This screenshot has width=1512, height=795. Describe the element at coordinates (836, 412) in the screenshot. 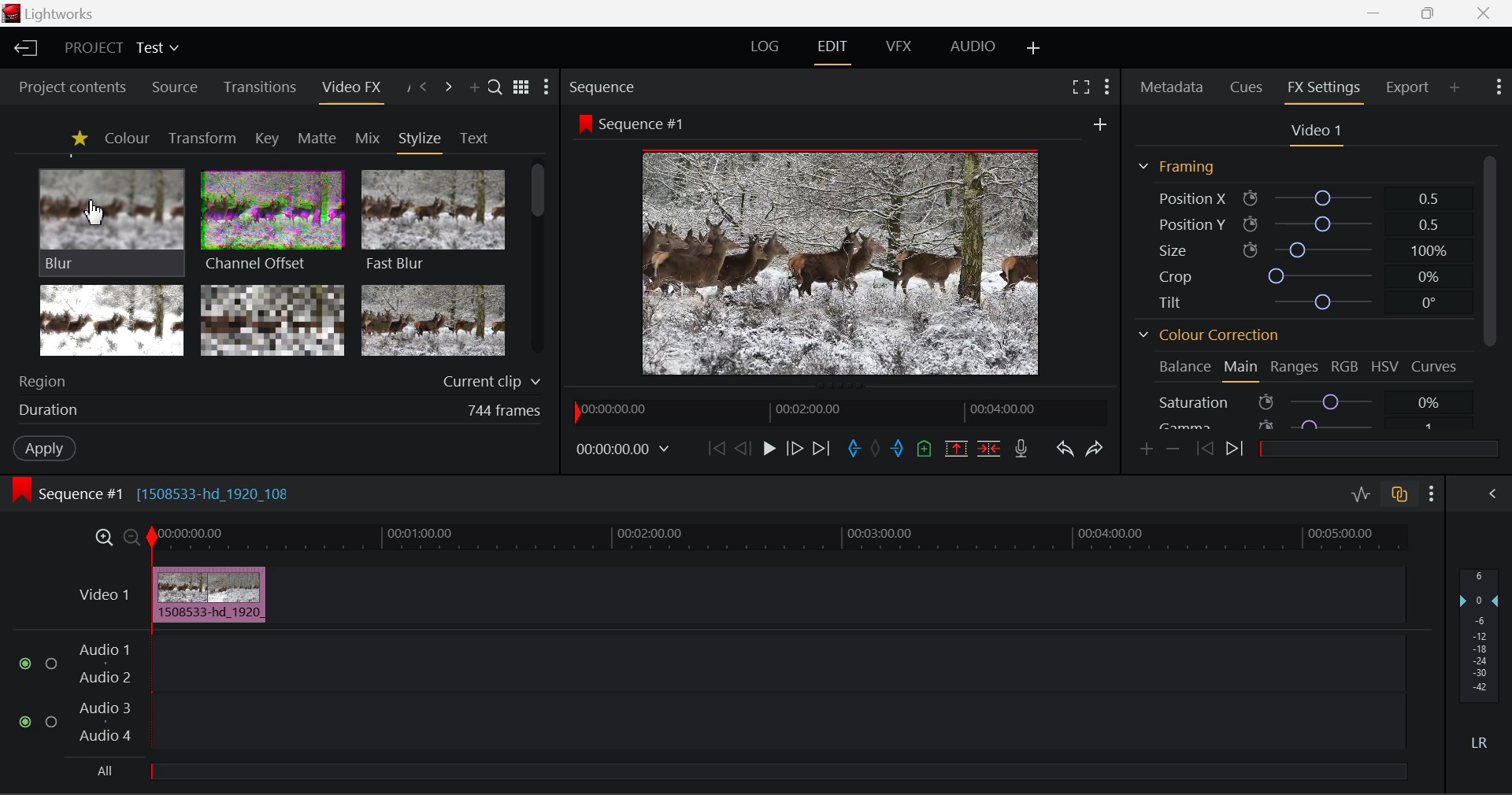

I see `Project Timeline Navigator` at that location.